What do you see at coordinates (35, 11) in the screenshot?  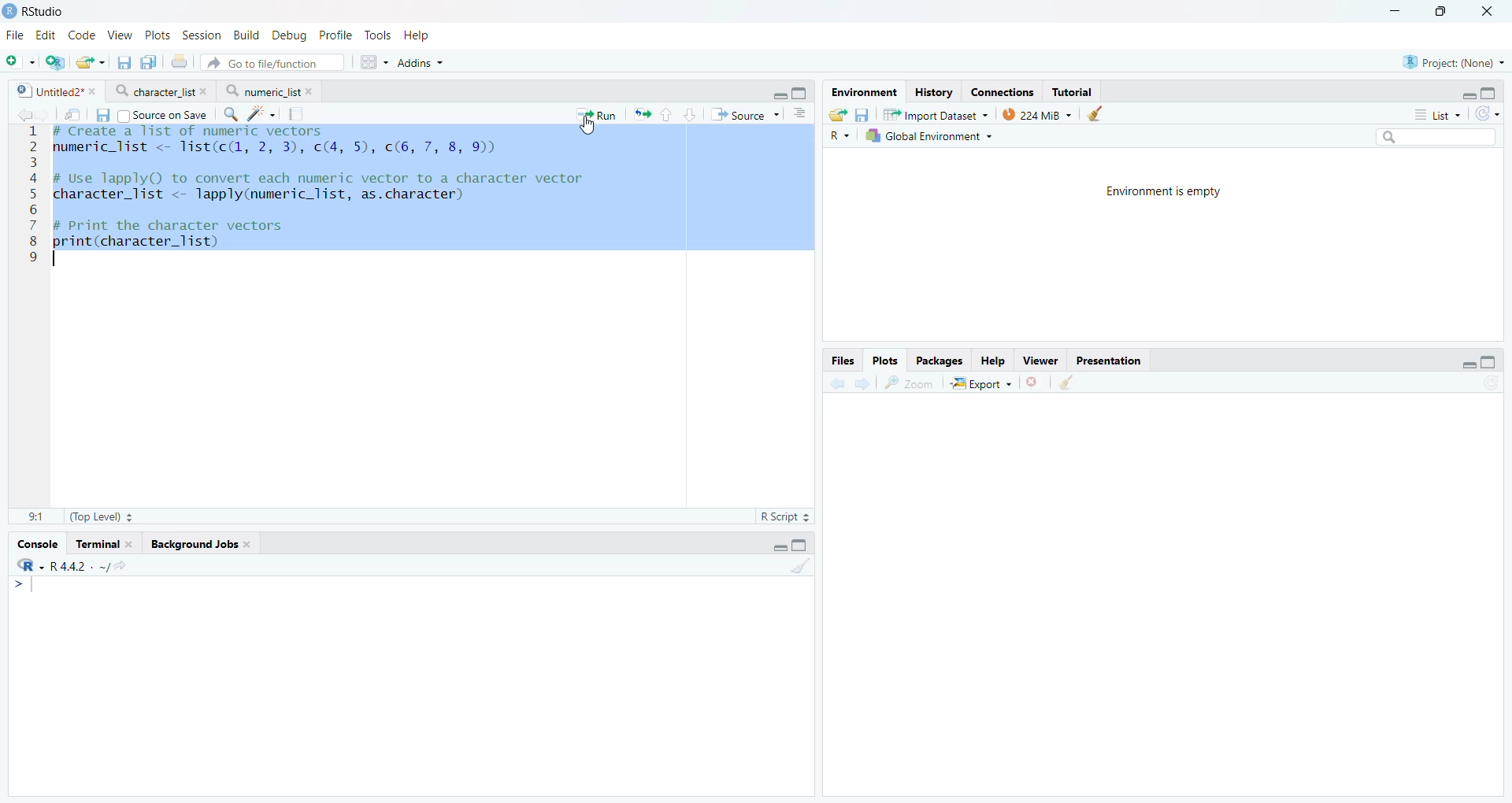 I see `RStudio` at bounding box center [35, 11].